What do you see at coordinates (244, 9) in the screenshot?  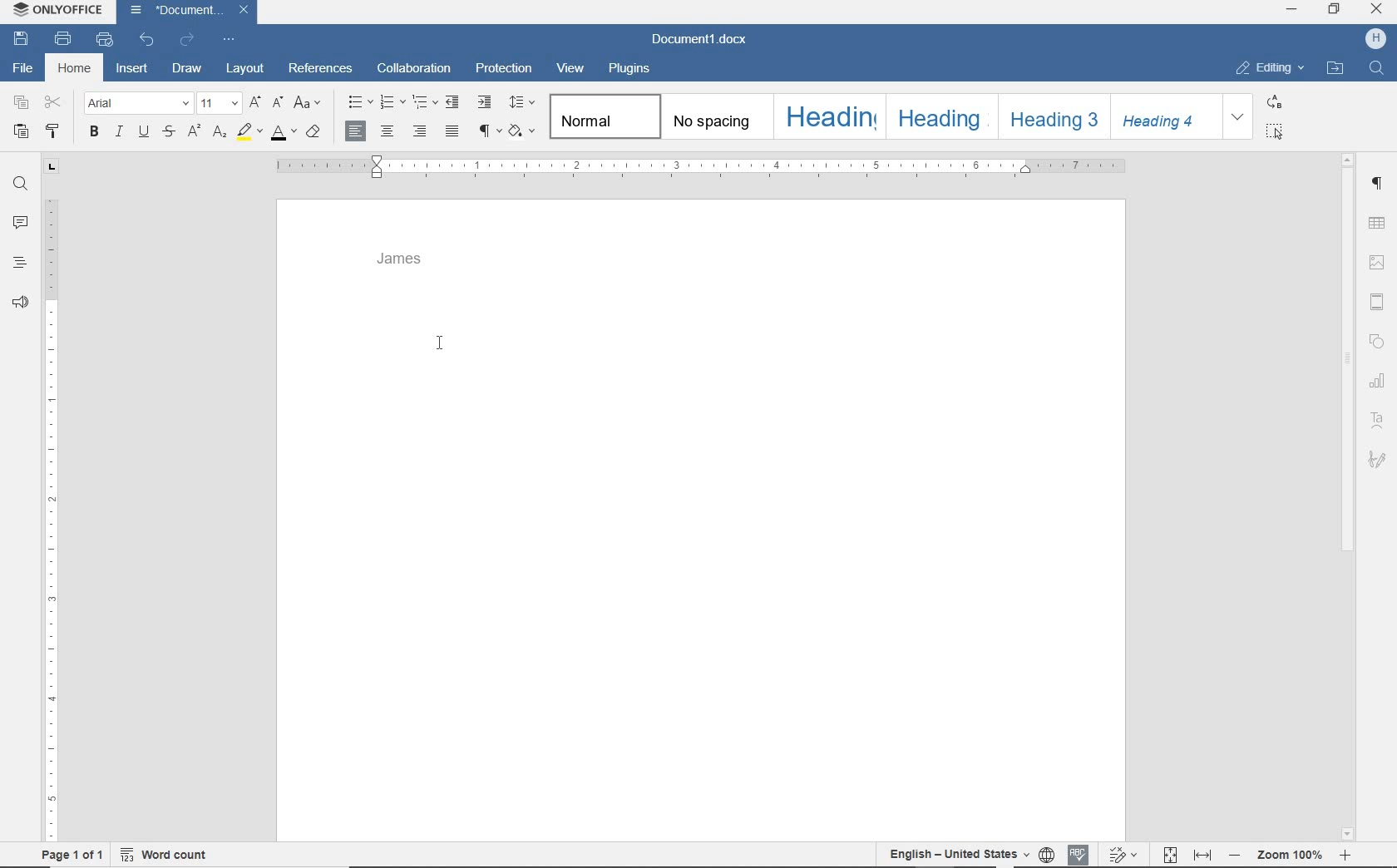 I see `close` at bounding box center [244, 9].